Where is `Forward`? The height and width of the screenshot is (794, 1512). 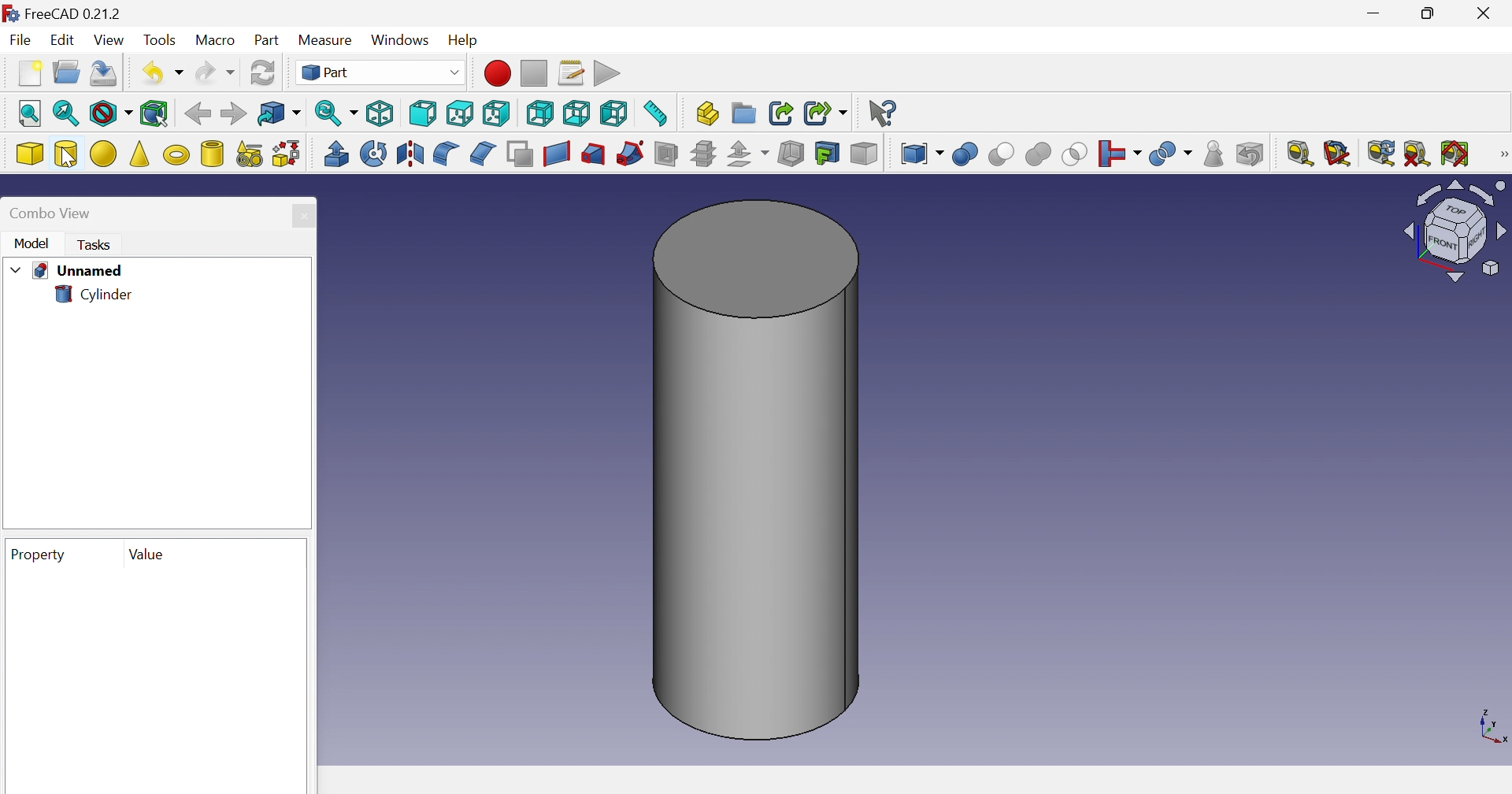
Forward is located at coordinates (232, 113).